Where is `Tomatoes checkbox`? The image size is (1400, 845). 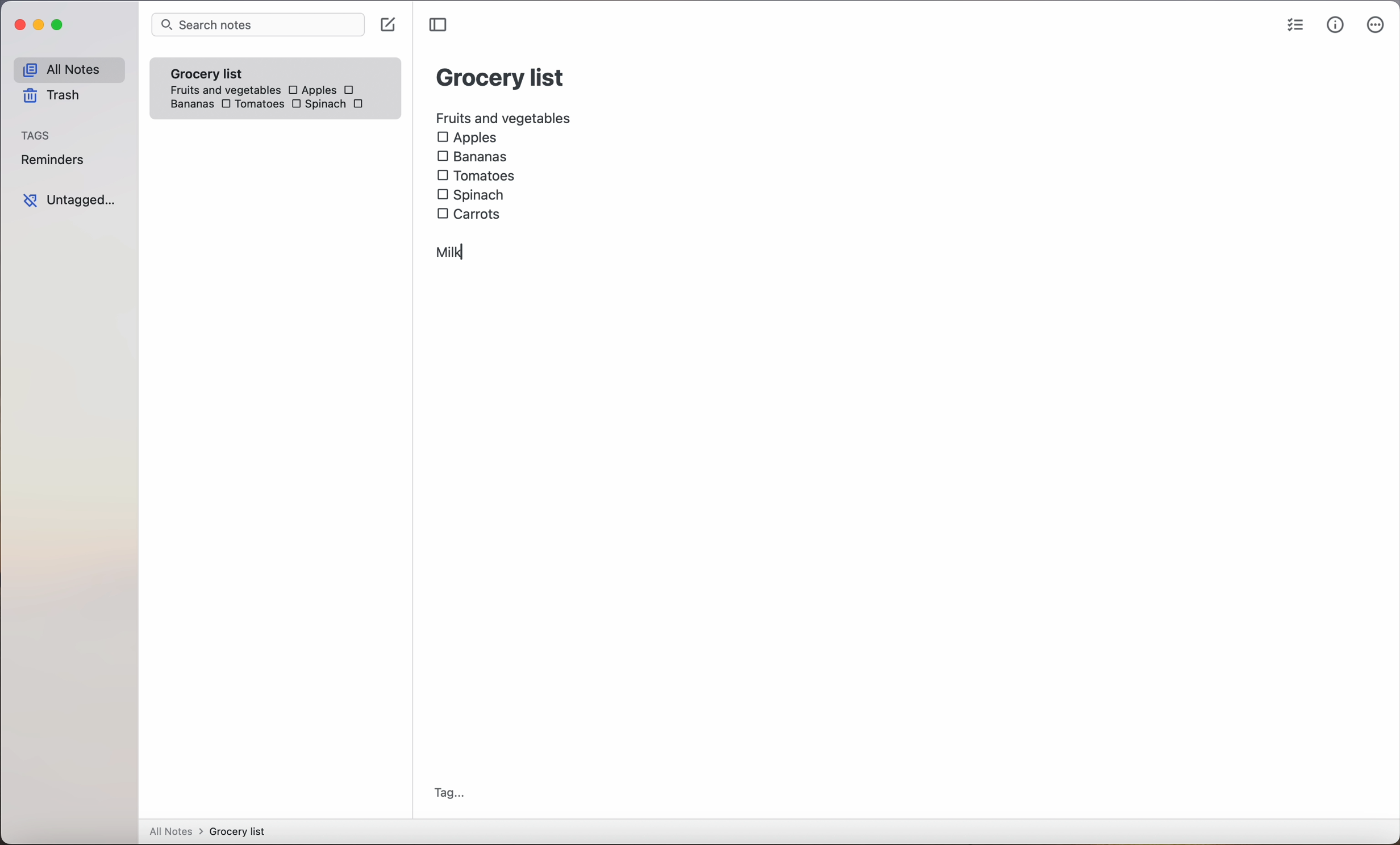
Tomatoes checkbox is located at coordinates (476, 176).